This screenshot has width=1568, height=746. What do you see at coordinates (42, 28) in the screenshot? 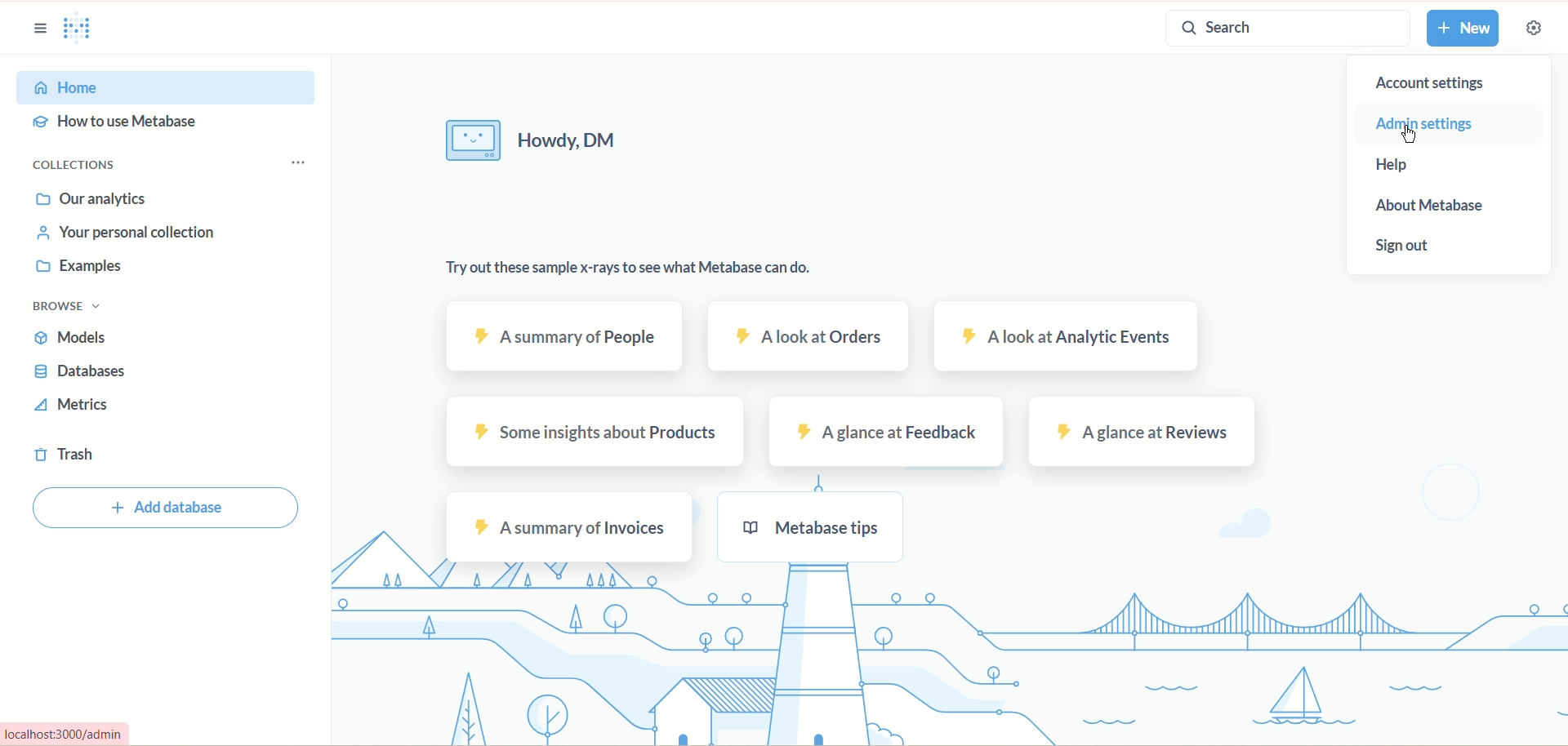
I see `sidebar` at bounding box center [42, 28].